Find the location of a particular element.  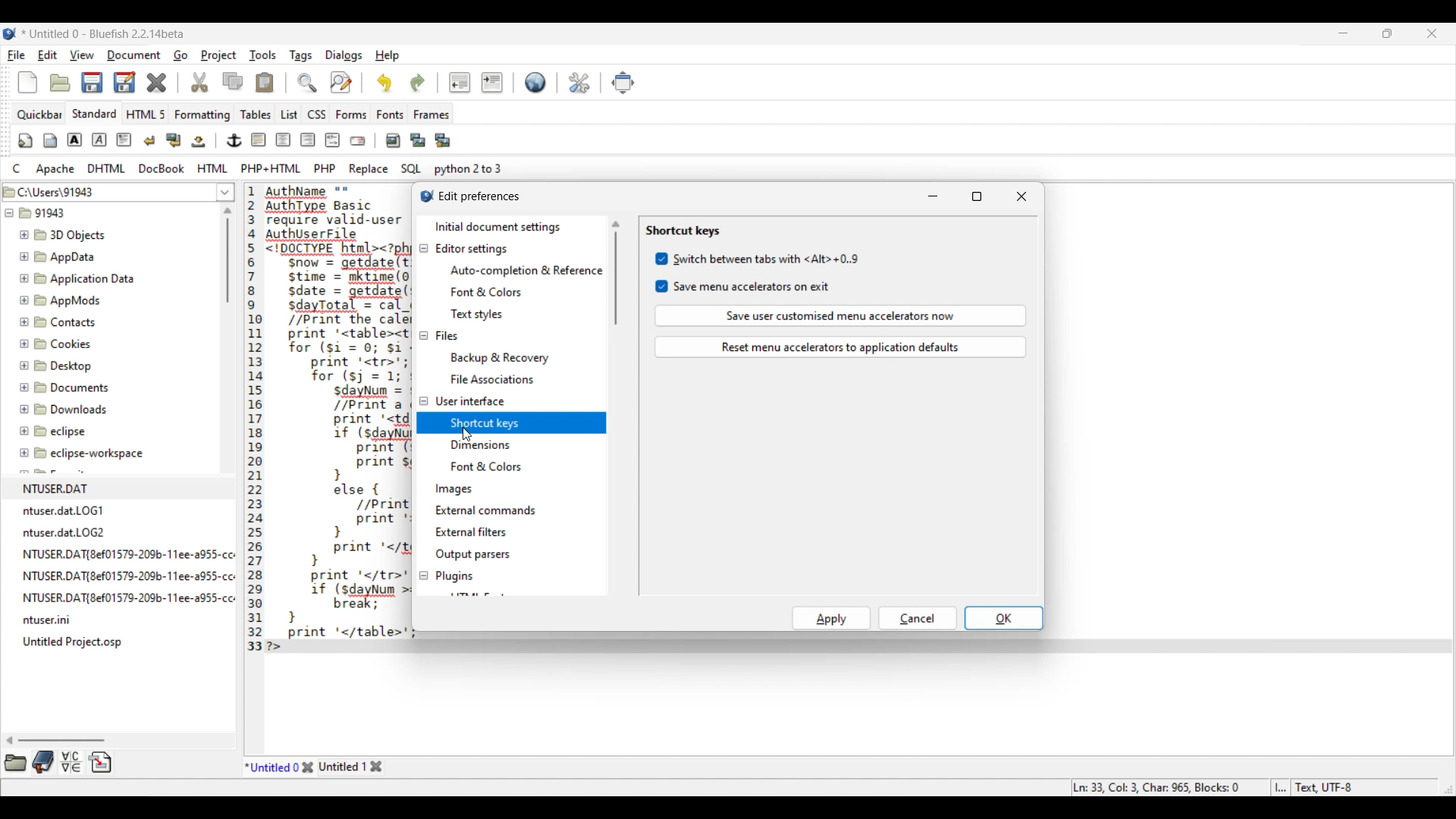

Redo is located at coordinates (418, 83).